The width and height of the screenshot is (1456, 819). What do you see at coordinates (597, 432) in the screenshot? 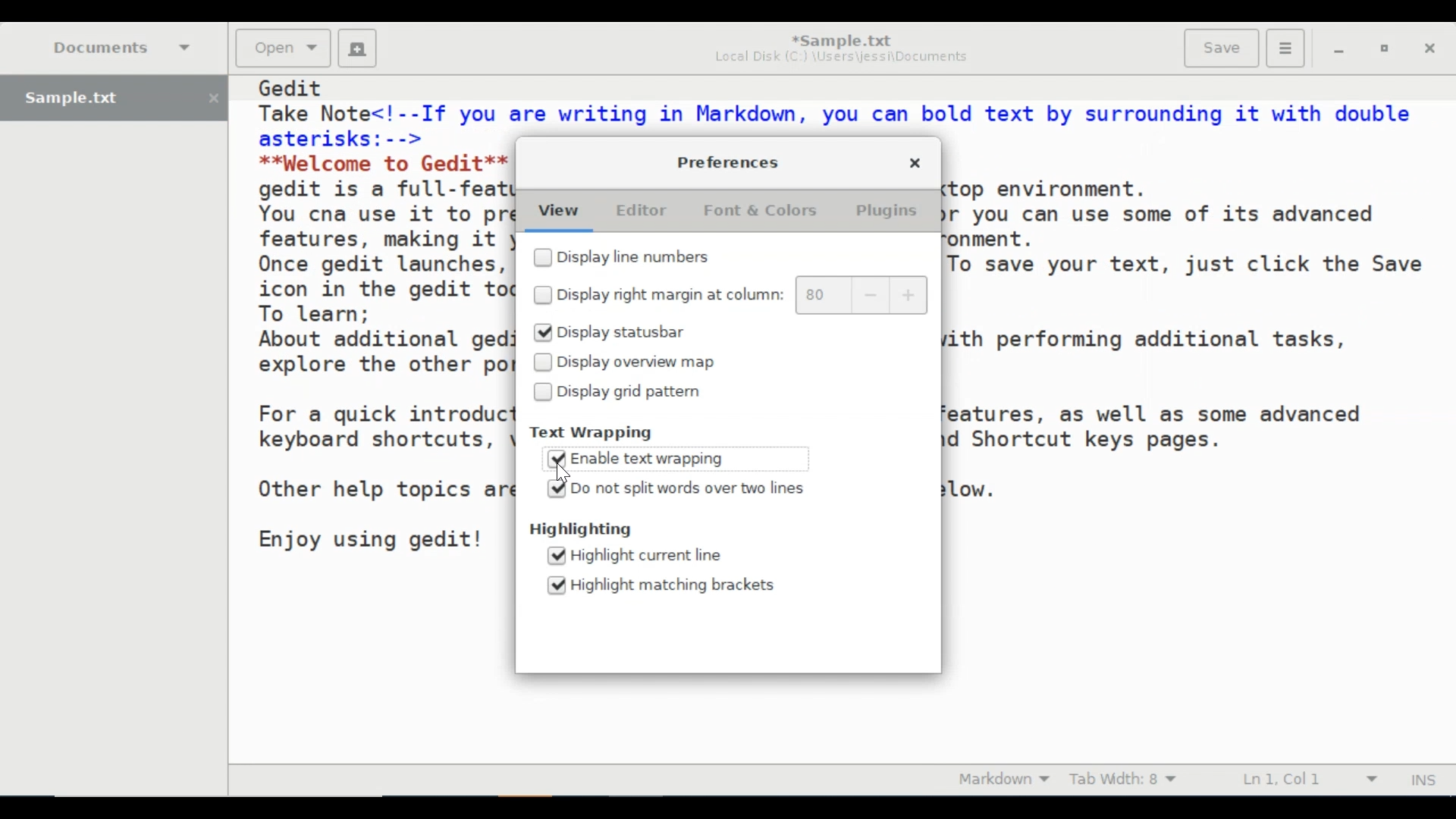
I see `Text Wrapping` at bounding box center [597, 432].